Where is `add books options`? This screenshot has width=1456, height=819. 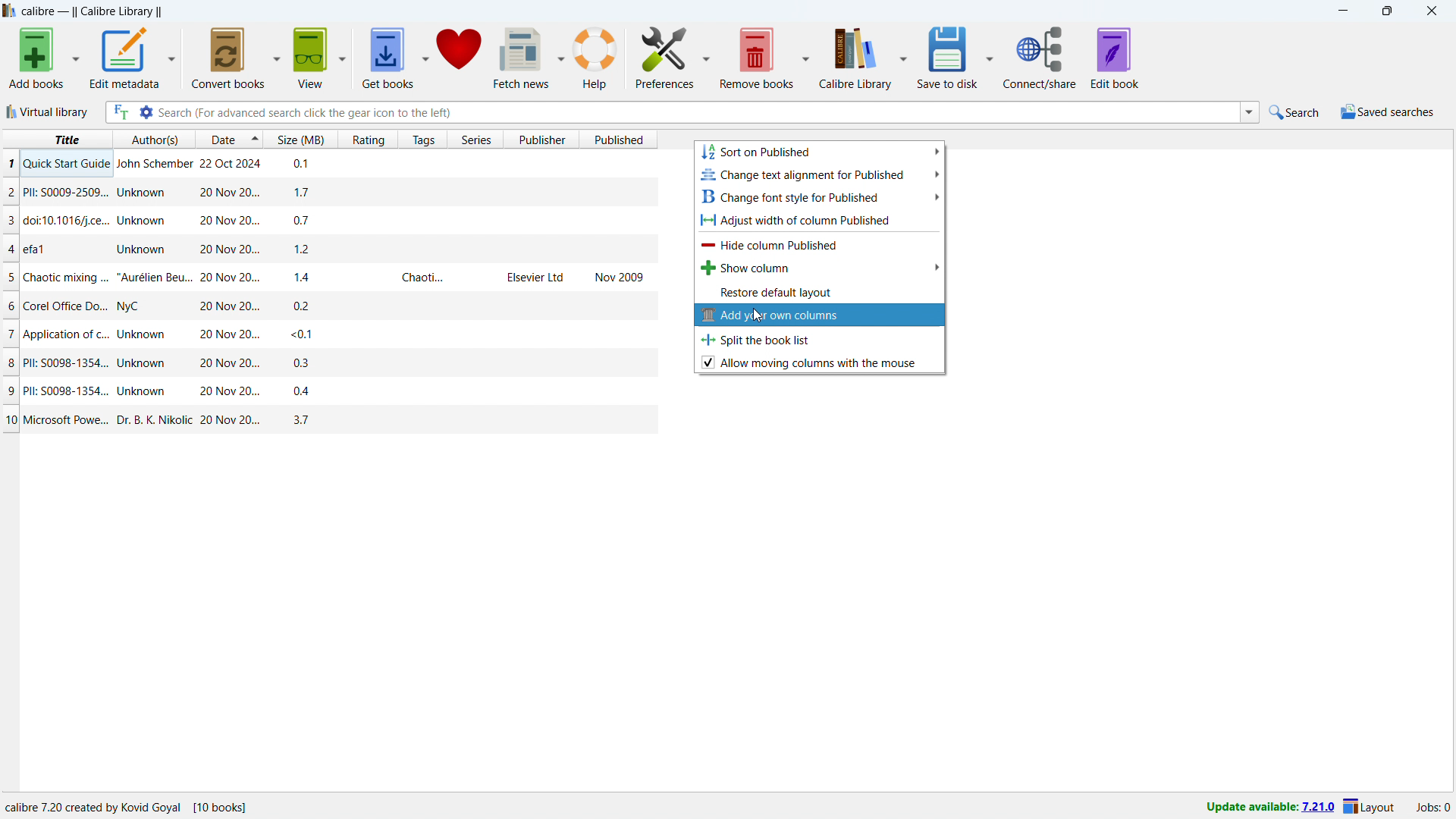 add books options is located at coordinates (76, 57).